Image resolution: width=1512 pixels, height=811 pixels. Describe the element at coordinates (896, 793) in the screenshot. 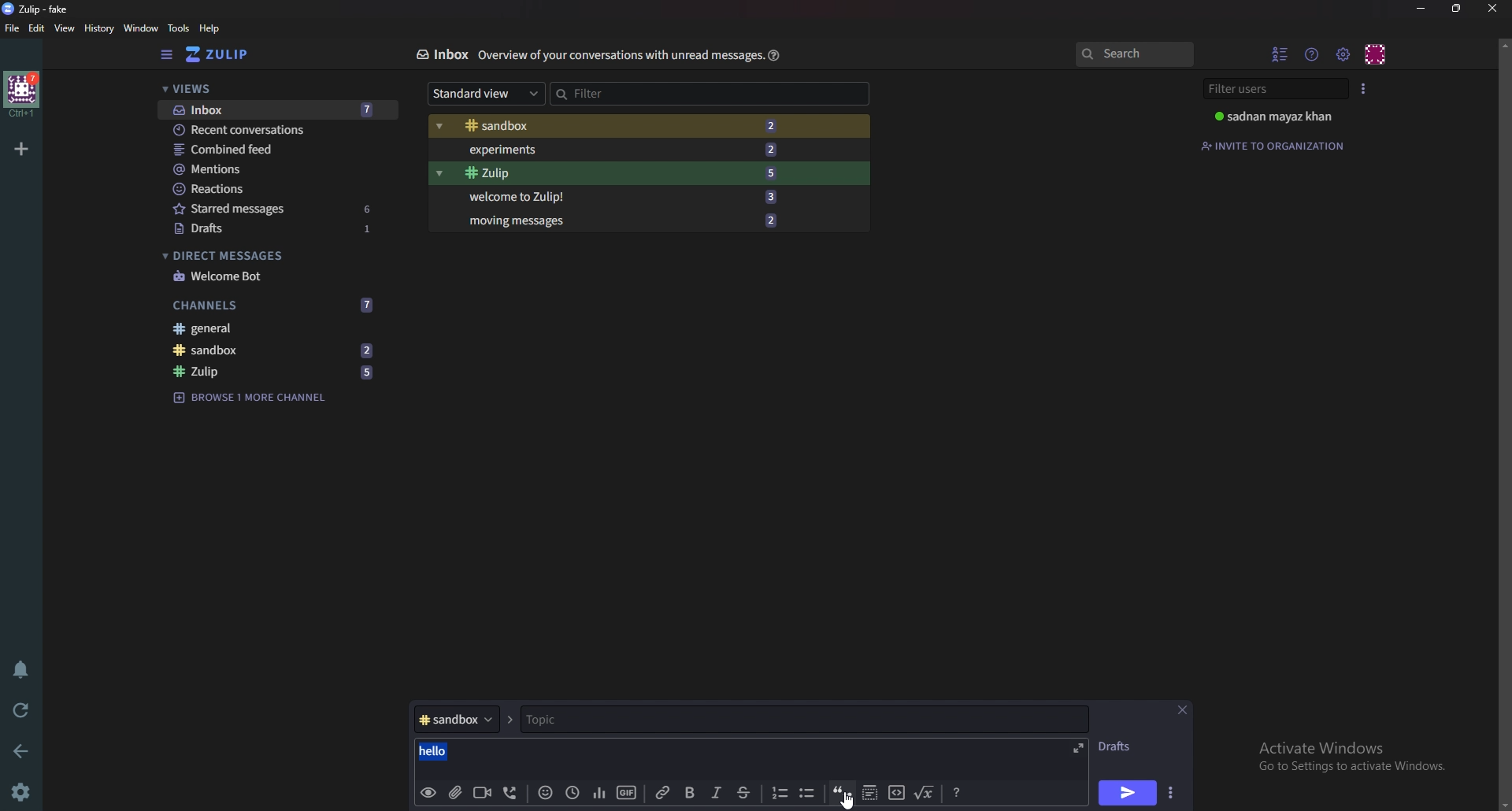

I see `Code` at that location.